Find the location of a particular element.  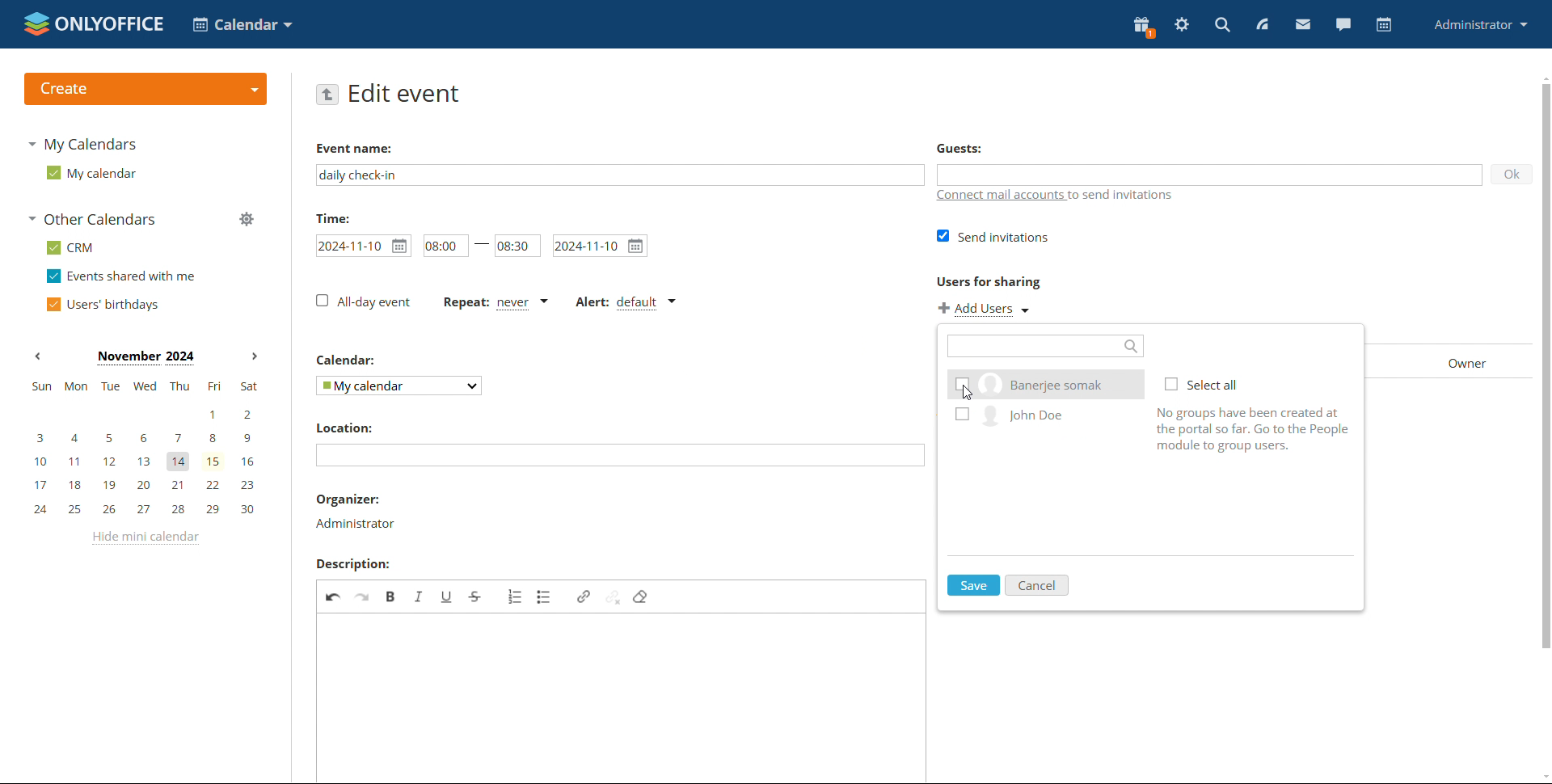

crm is located at coordinates (70, 247).